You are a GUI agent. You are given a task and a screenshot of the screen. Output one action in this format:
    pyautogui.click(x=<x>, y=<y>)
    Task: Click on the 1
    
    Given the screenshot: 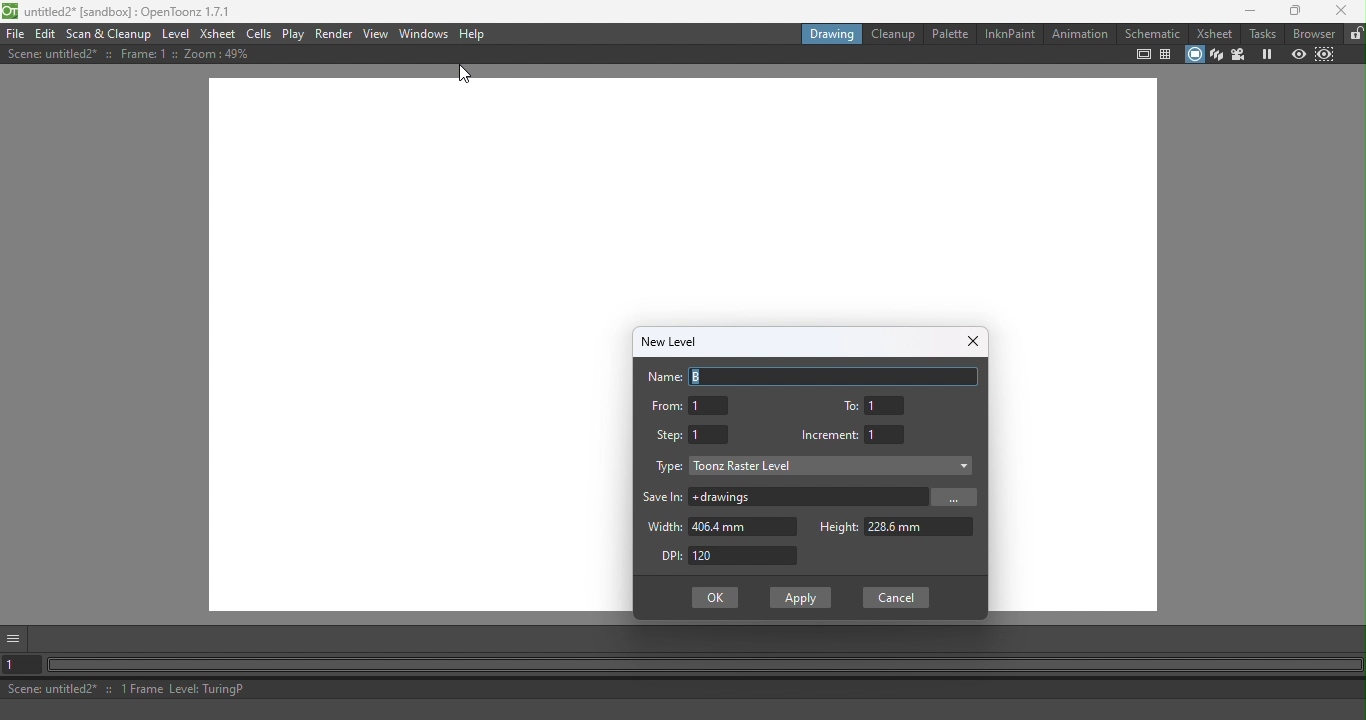 What is the action you would take?
    pyautogui.click(x=887, y=435)
    